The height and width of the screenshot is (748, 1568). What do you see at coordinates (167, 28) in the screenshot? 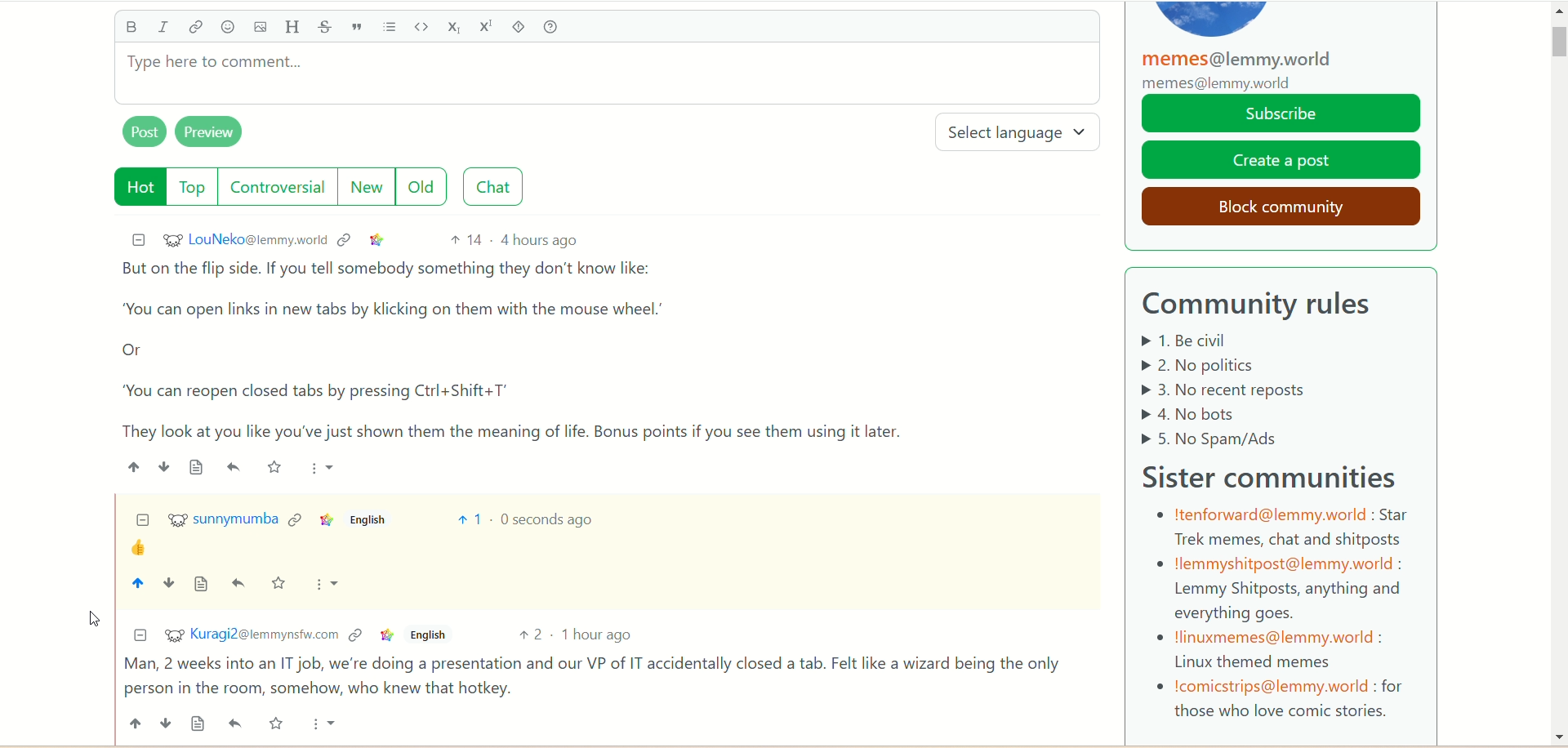
I see `italics` at bounding box center [167, 28].